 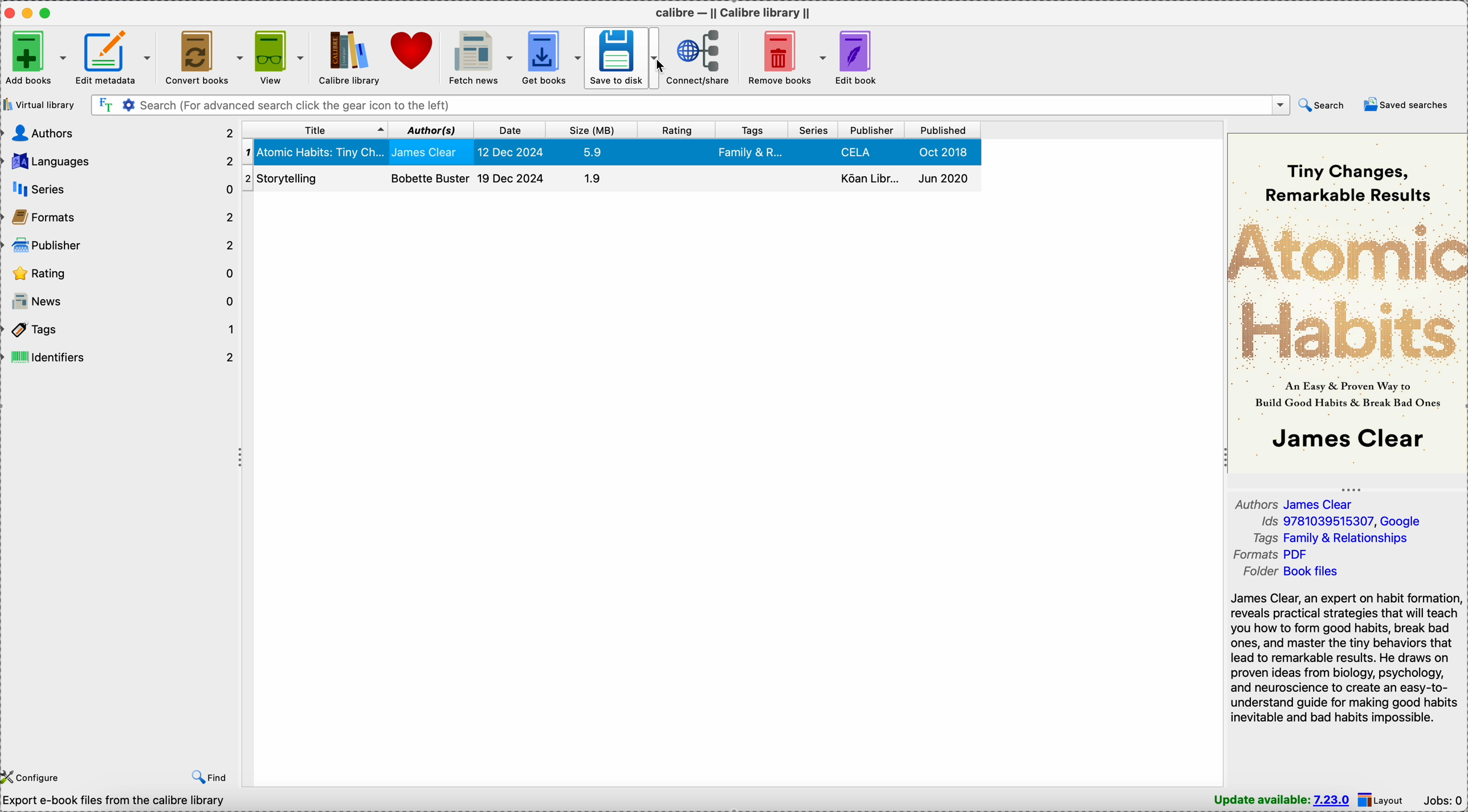 I want to click on news, so click(x=121, y=302).